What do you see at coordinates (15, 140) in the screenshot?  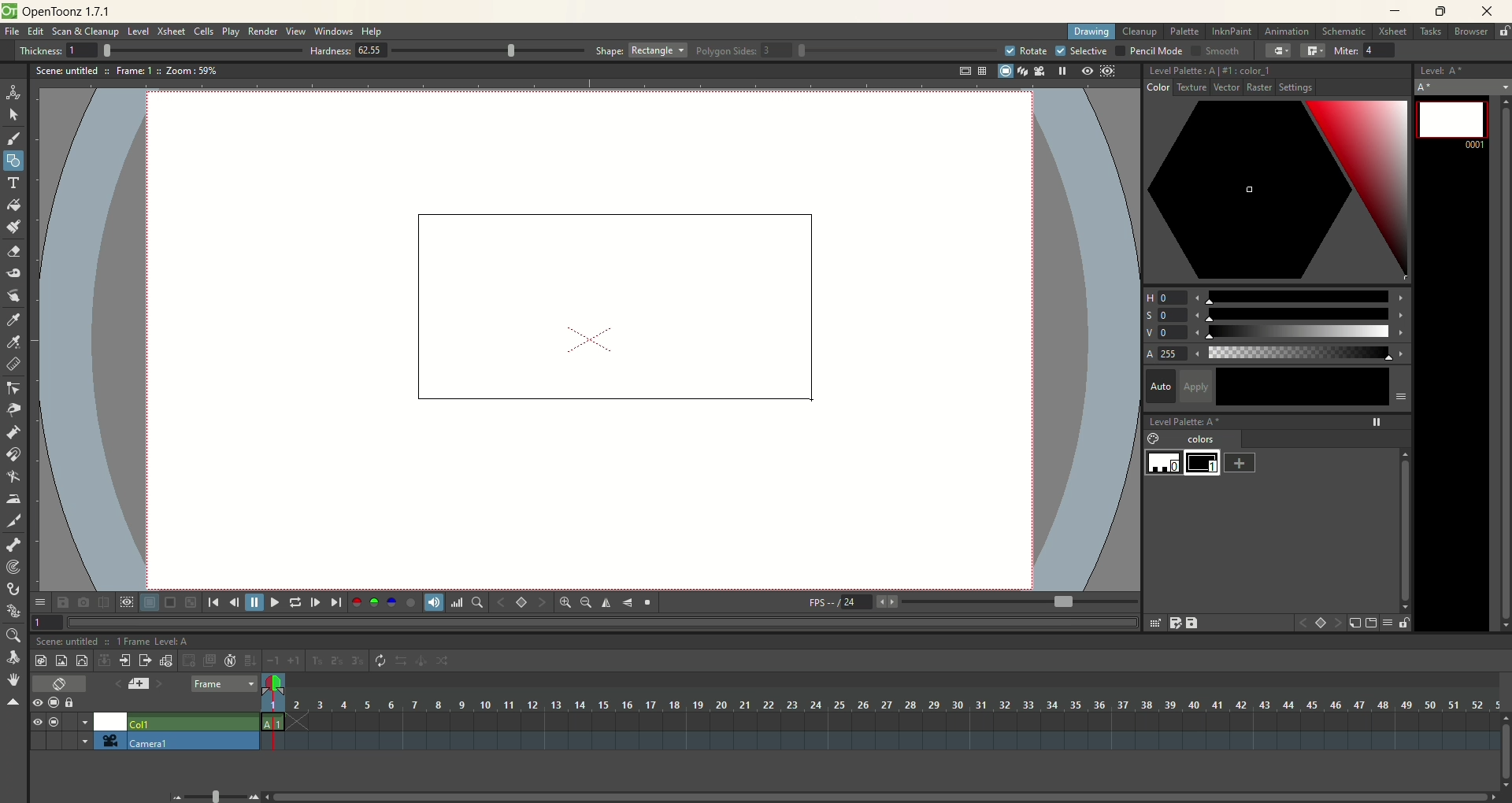 I see `brush tool` at bounding box center [15, 140].